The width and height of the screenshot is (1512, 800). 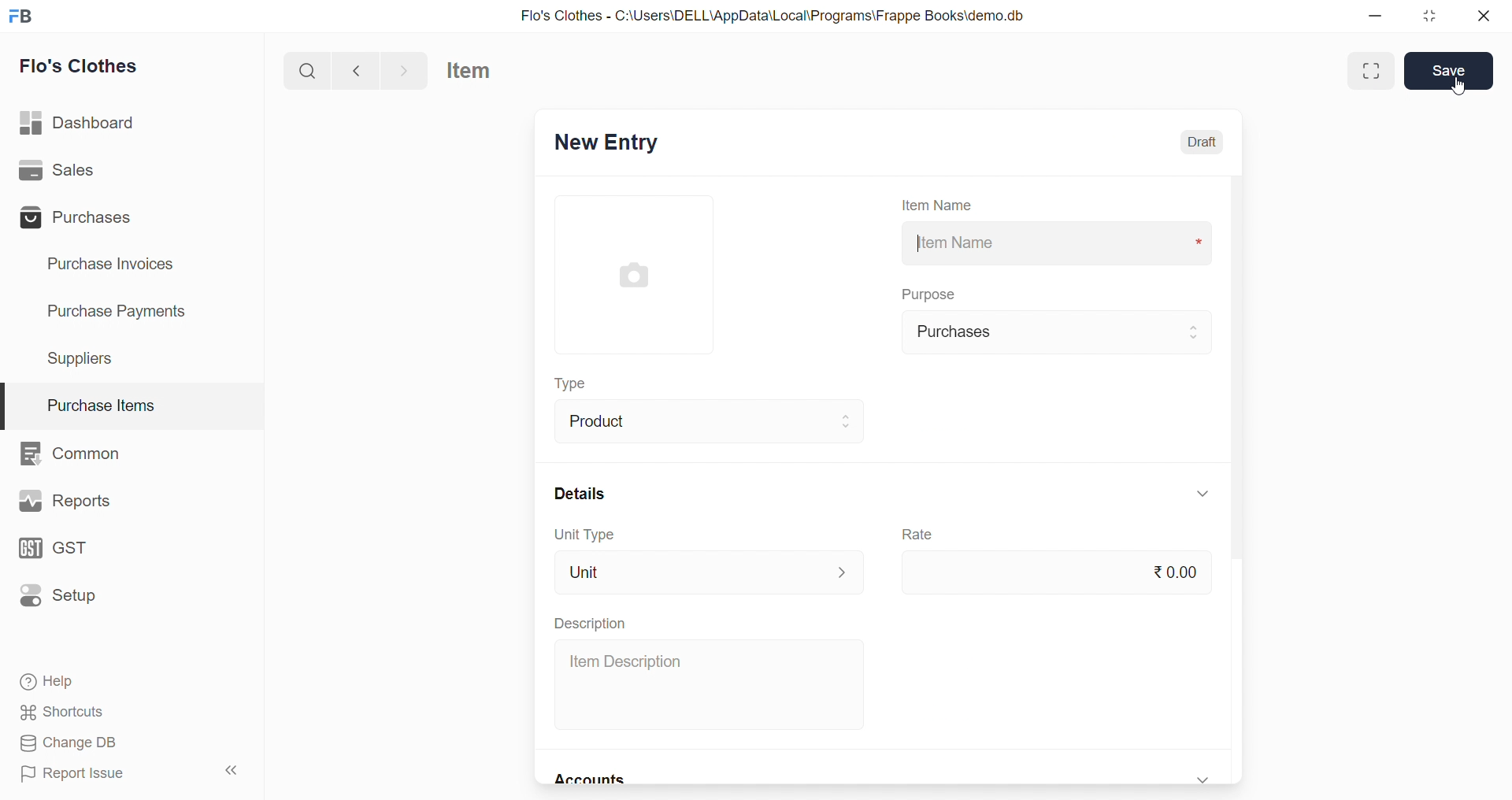 What do you see at coordinates (1203, 493) in the screenshot?
I see `expand/collapse` at bounding box center [1203, 493].